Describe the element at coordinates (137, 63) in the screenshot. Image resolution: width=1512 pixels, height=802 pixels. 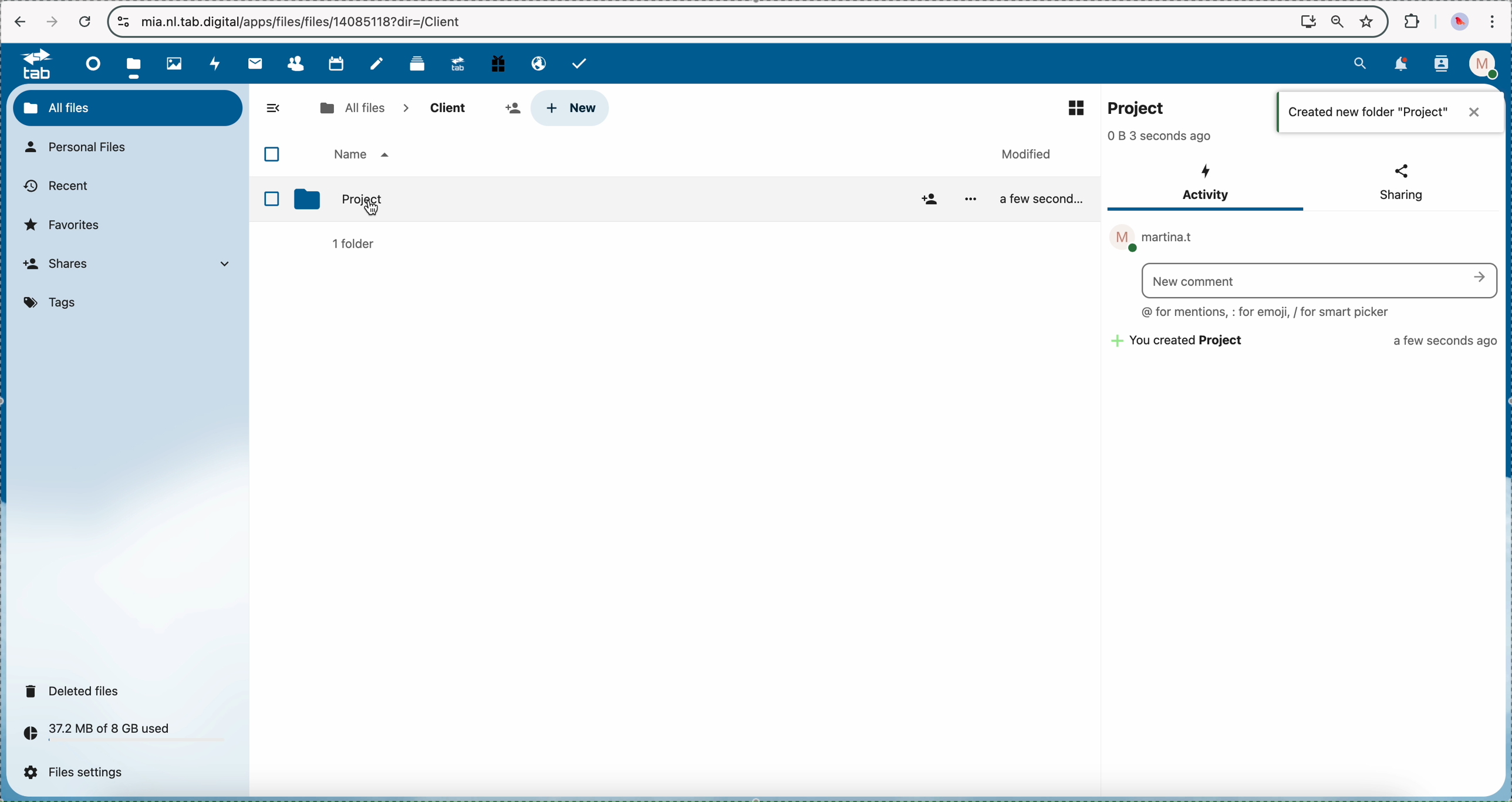
I see `click on files` at that location.